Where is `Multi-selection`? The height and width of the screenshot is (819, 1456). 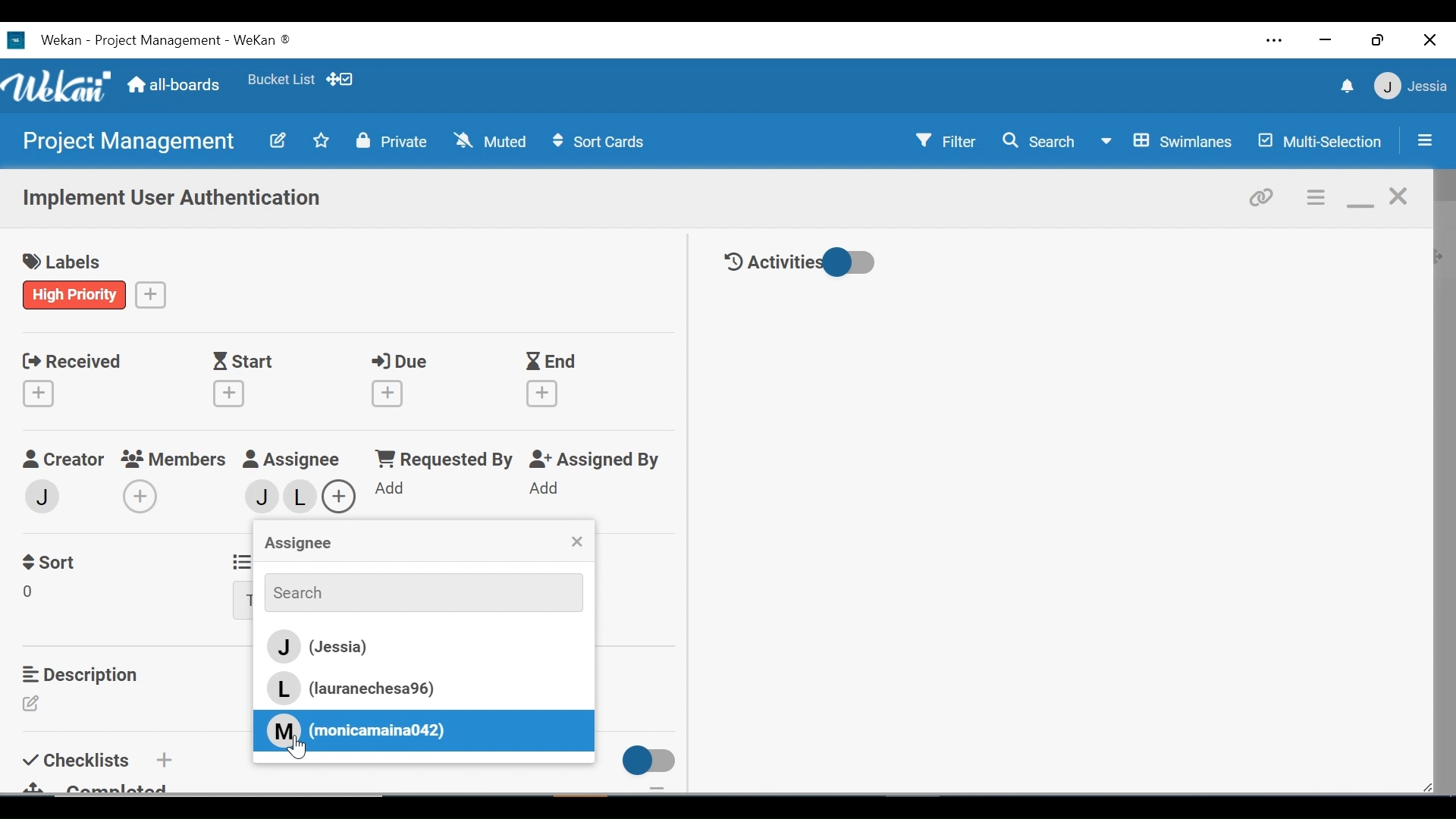 Multi-selection is located at coordinates (1322, 141).